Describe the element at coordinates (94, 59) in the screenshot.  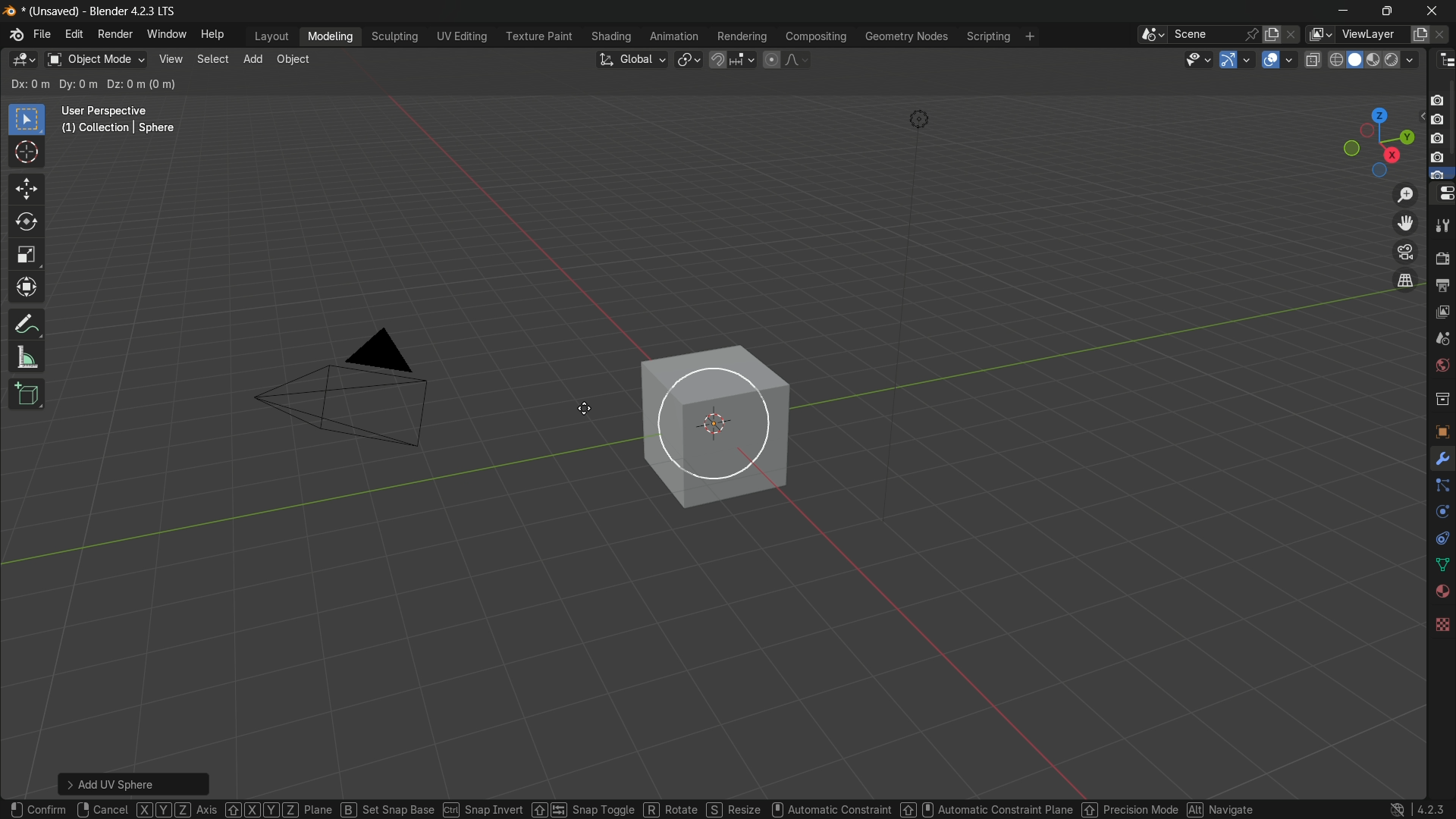
I see `switch mode` at that location.